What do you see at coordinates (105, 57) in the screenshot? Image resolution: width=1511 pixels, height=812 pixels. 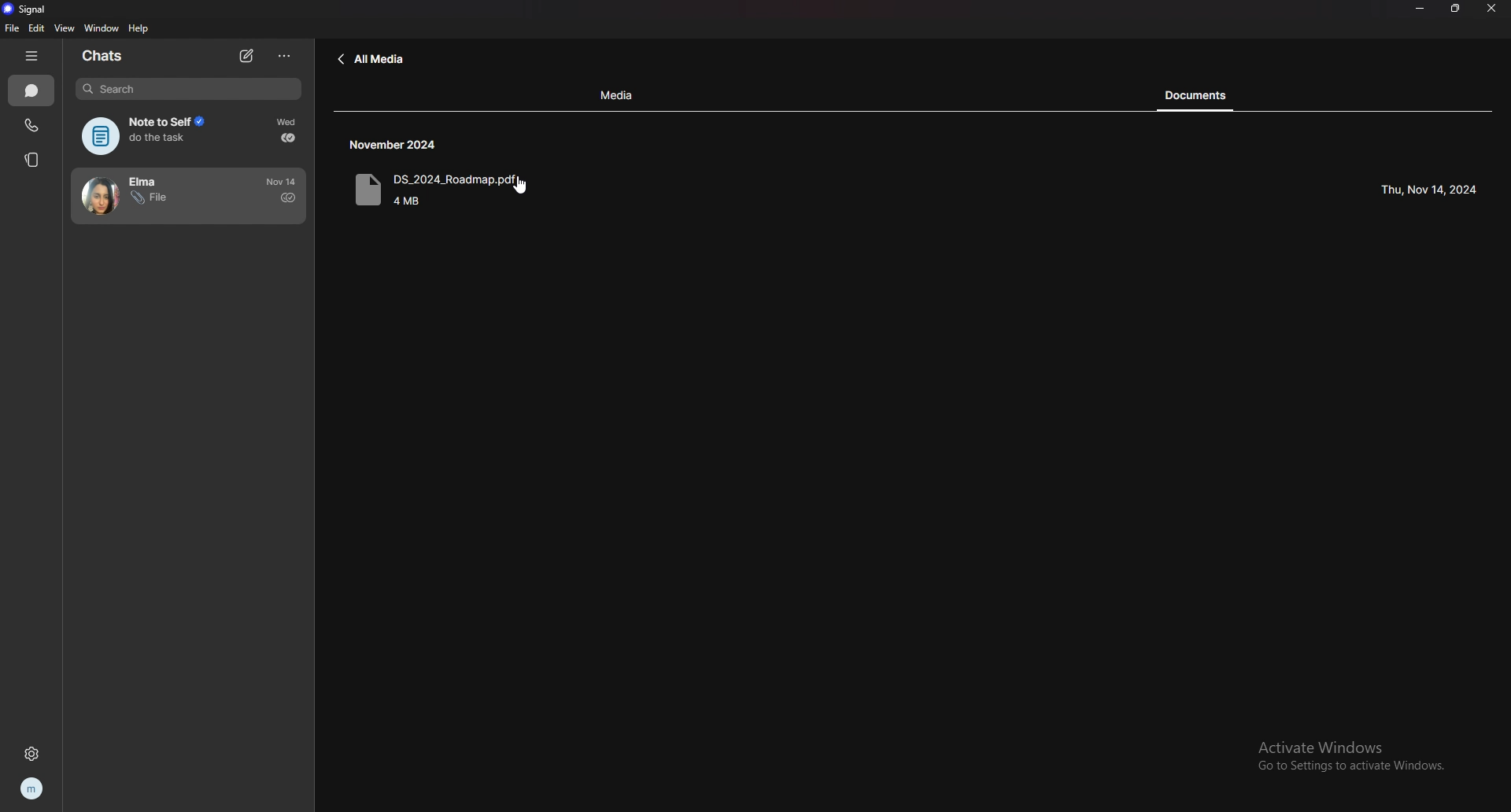 I see `chats` at bounding box center [105, 57].